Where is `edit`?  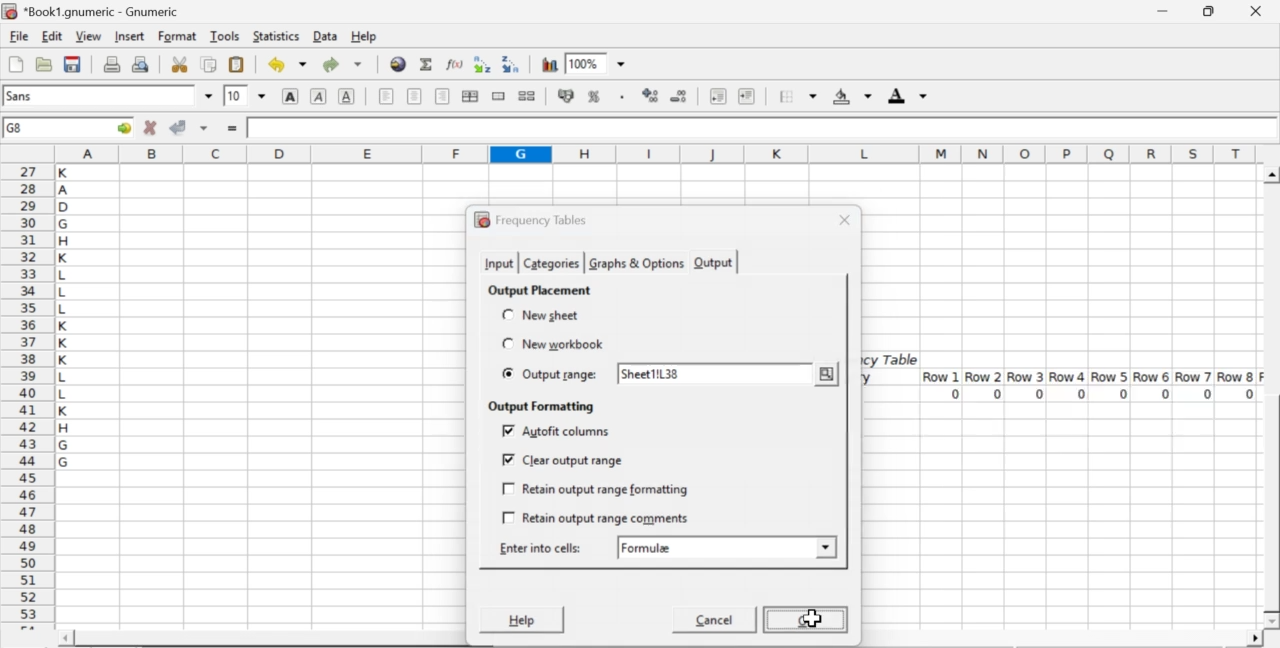
edit is located at coordinates (52, 36).